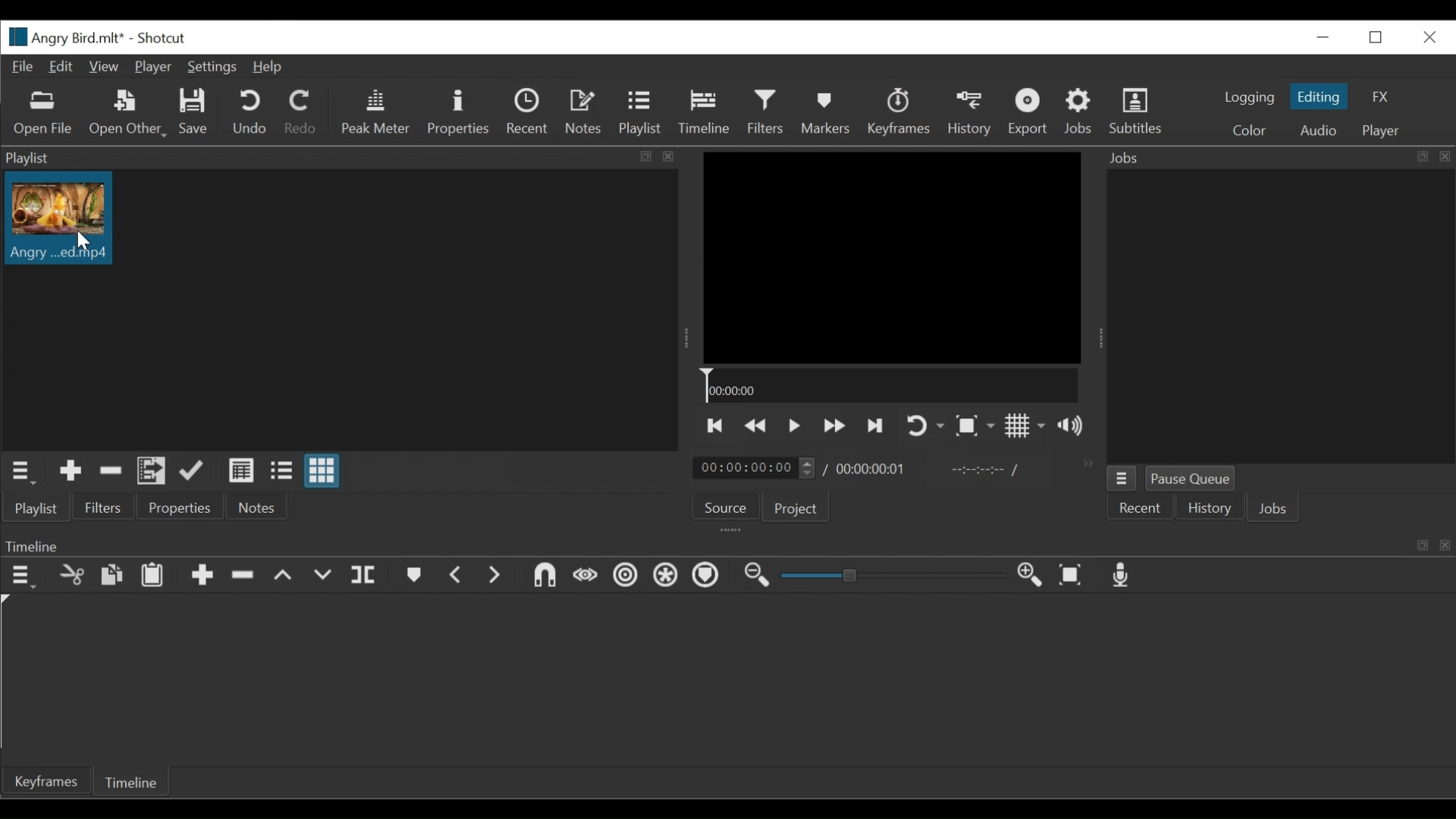 This screenshot has height=819, width=1456. I want to click on Settings, so click(213, 67).